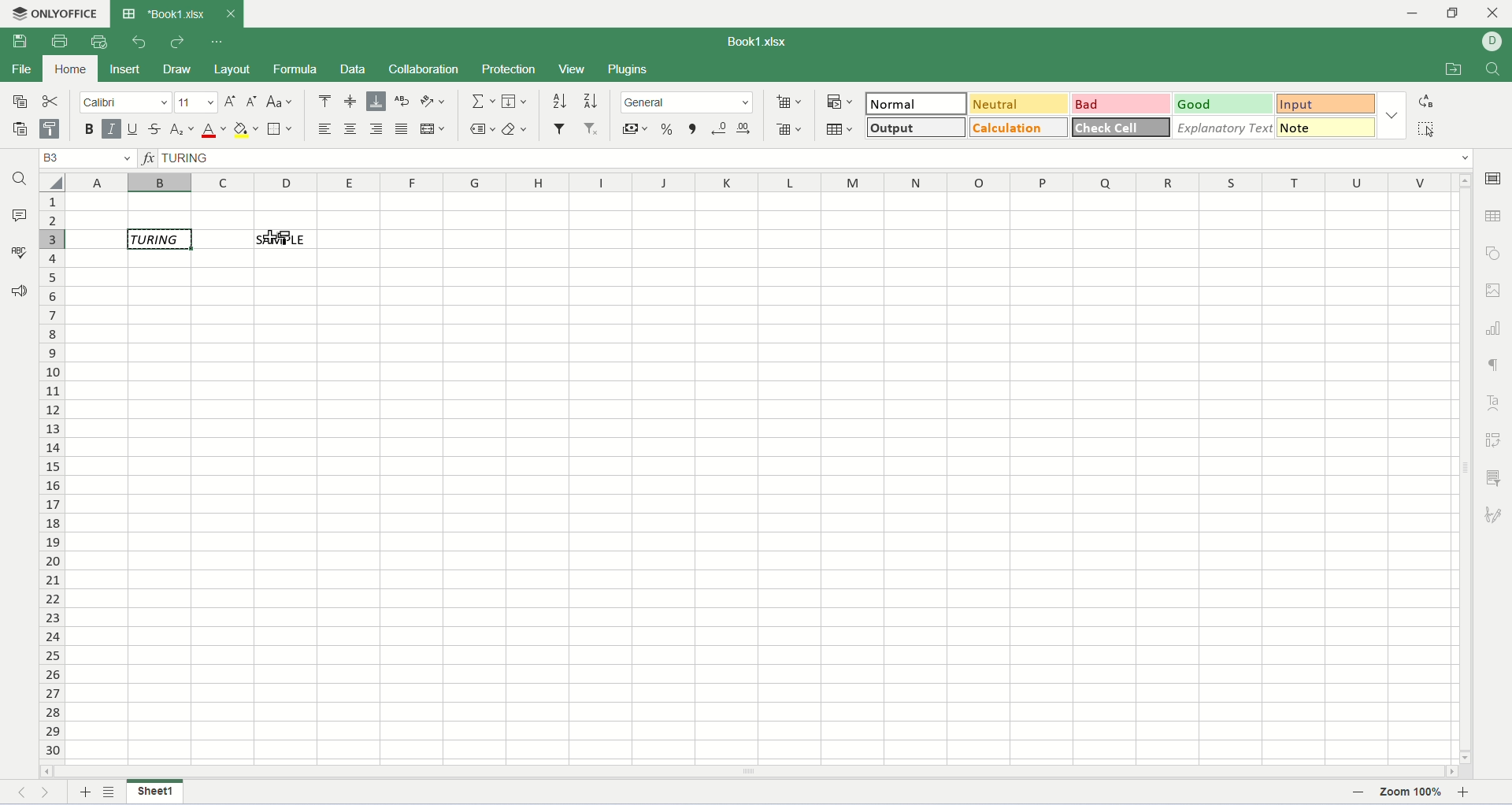 The image size is (1512, 805). Describe the element at coordinates (1496, 177) in the screenshot. I see `cell settings` at that location.